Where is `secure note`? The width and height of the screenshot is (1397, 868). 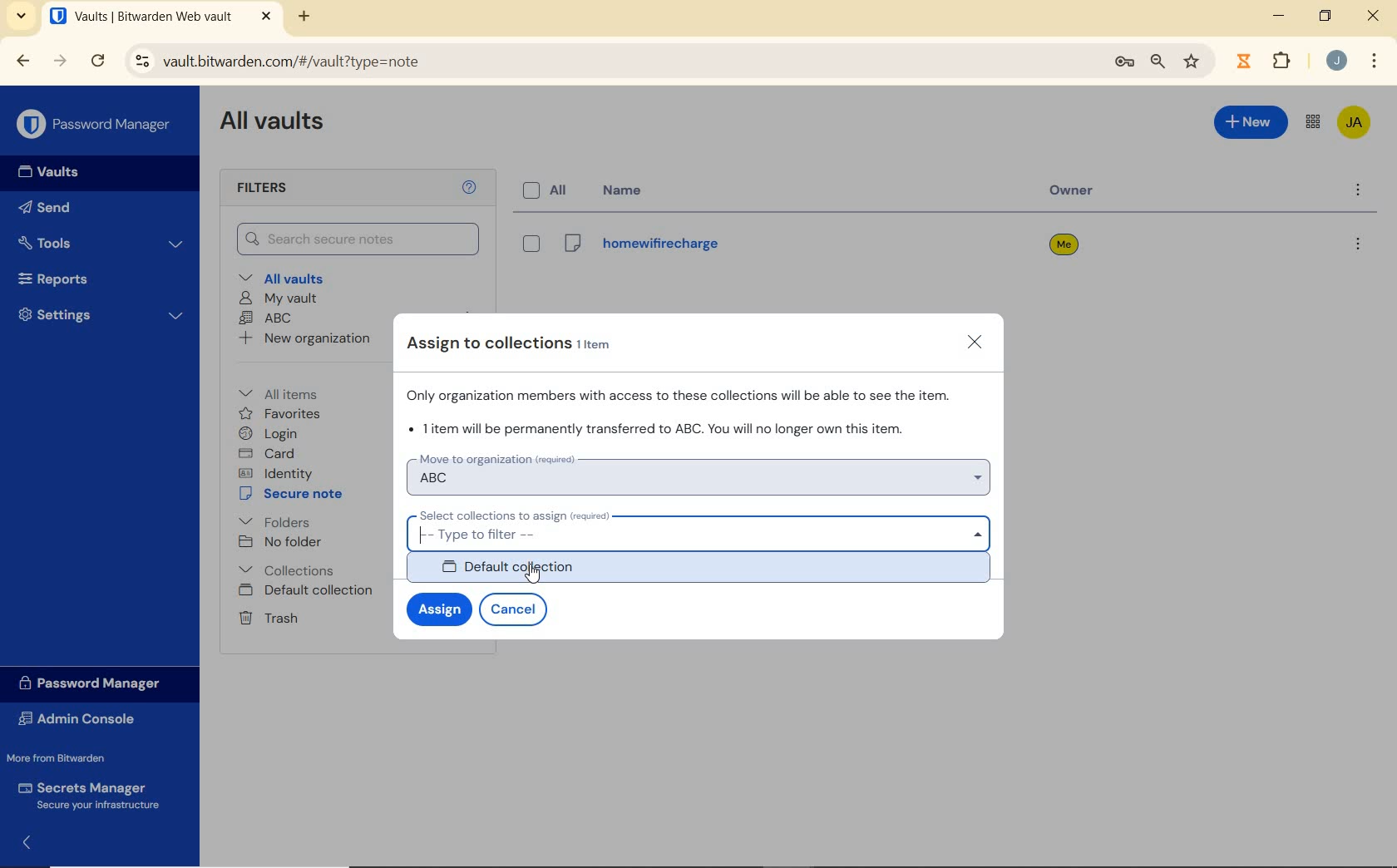 secure note is located at coordinates (294, 494).